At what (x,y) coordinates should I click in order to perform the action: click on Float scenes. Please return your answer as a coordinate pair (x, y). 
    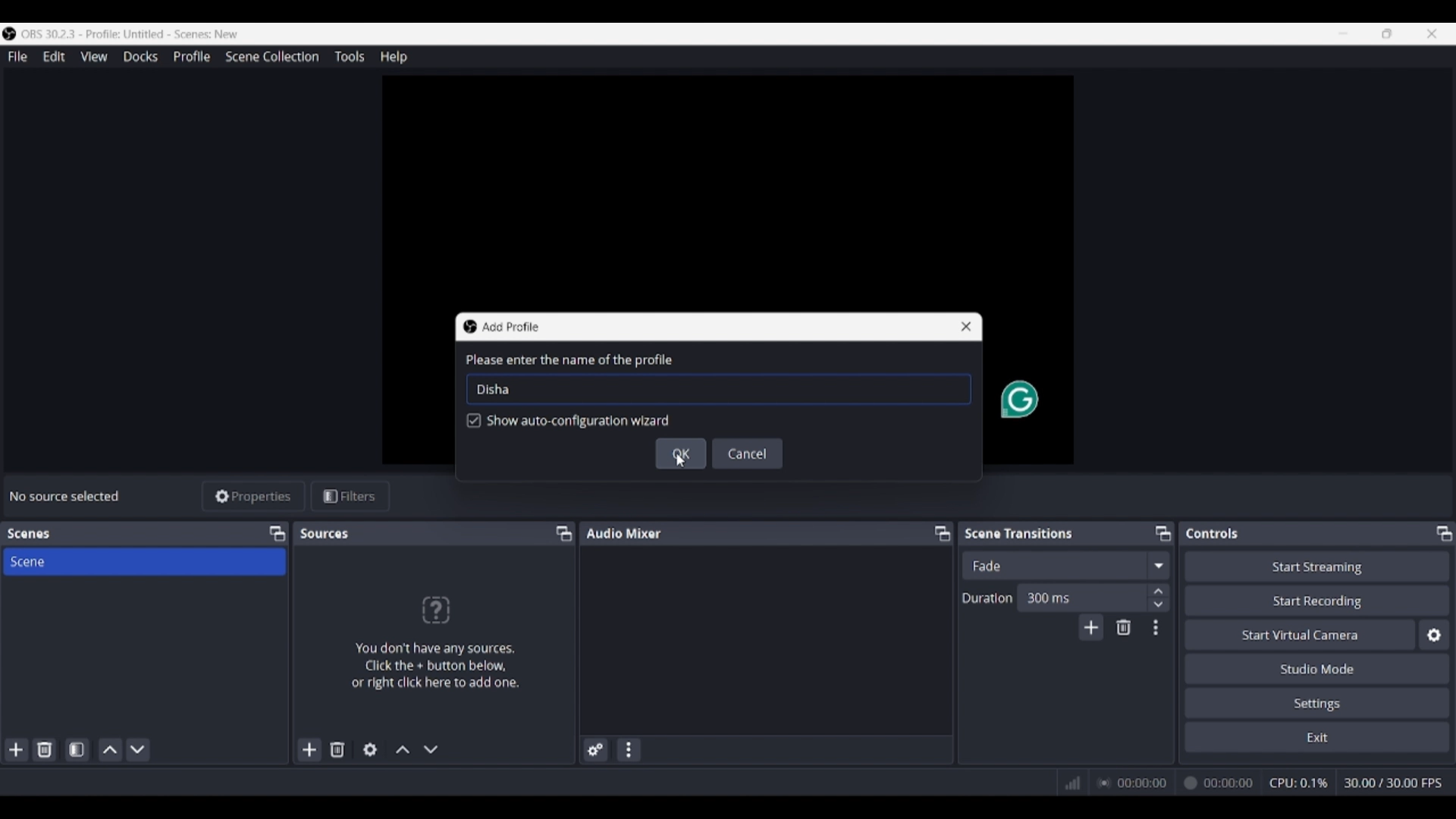
    Looking at the image, I should click on (277, 534).